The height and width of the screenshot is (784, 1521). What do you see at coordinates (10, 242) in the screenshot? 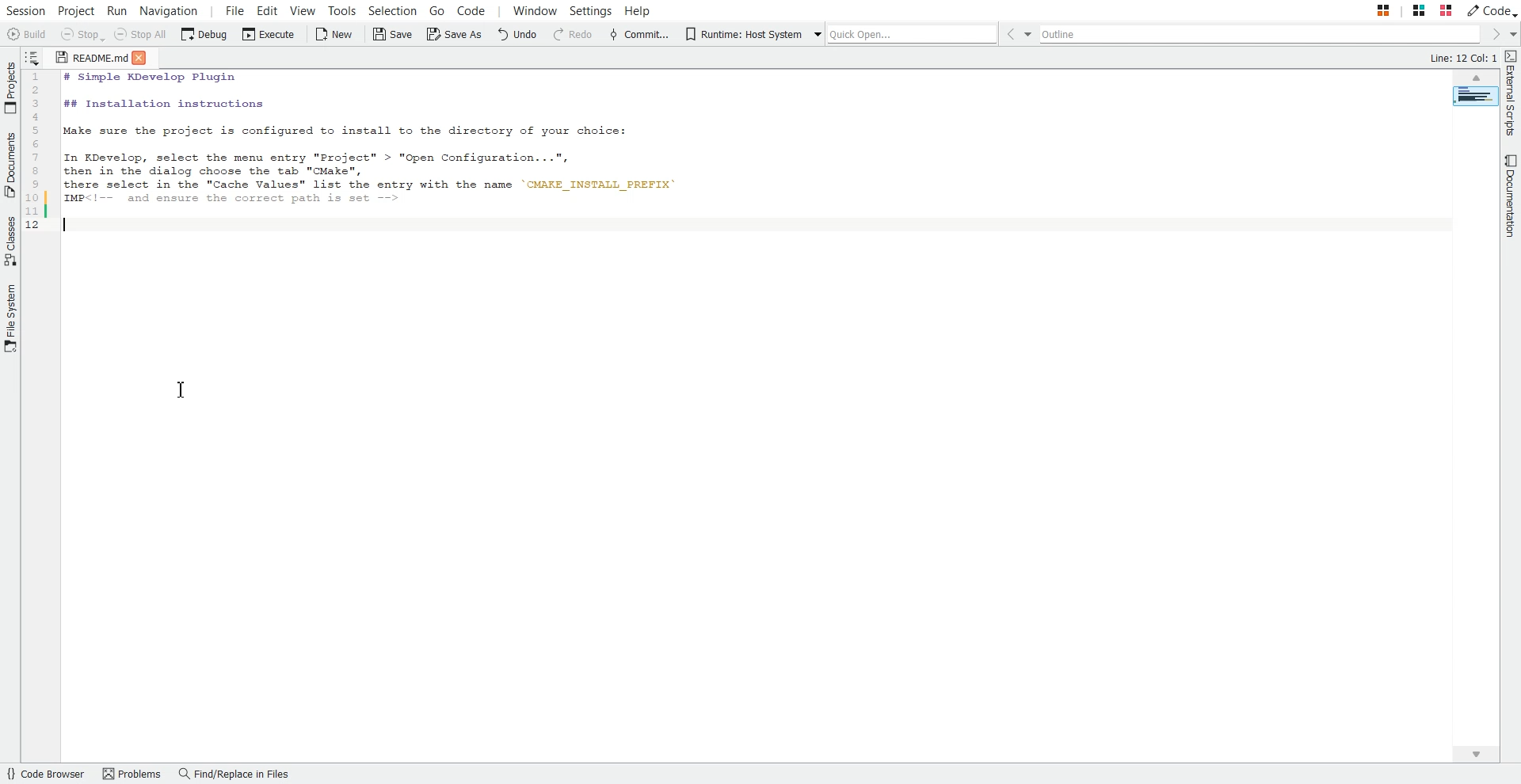
I see `Classes` at bounding box center [10, 242].